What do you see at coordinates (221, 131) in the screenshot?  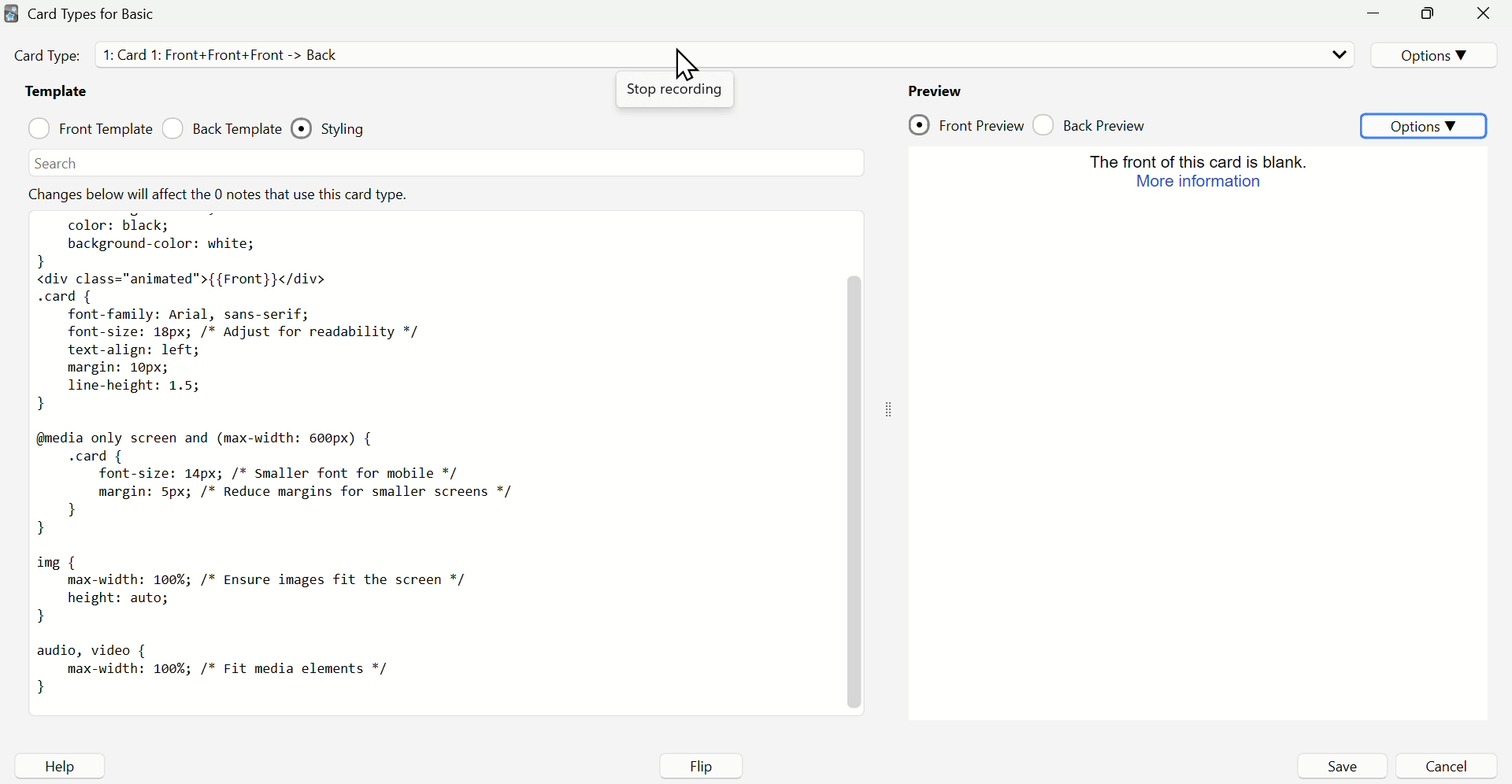 I see `Back Template` at bounding box center [221, 131].